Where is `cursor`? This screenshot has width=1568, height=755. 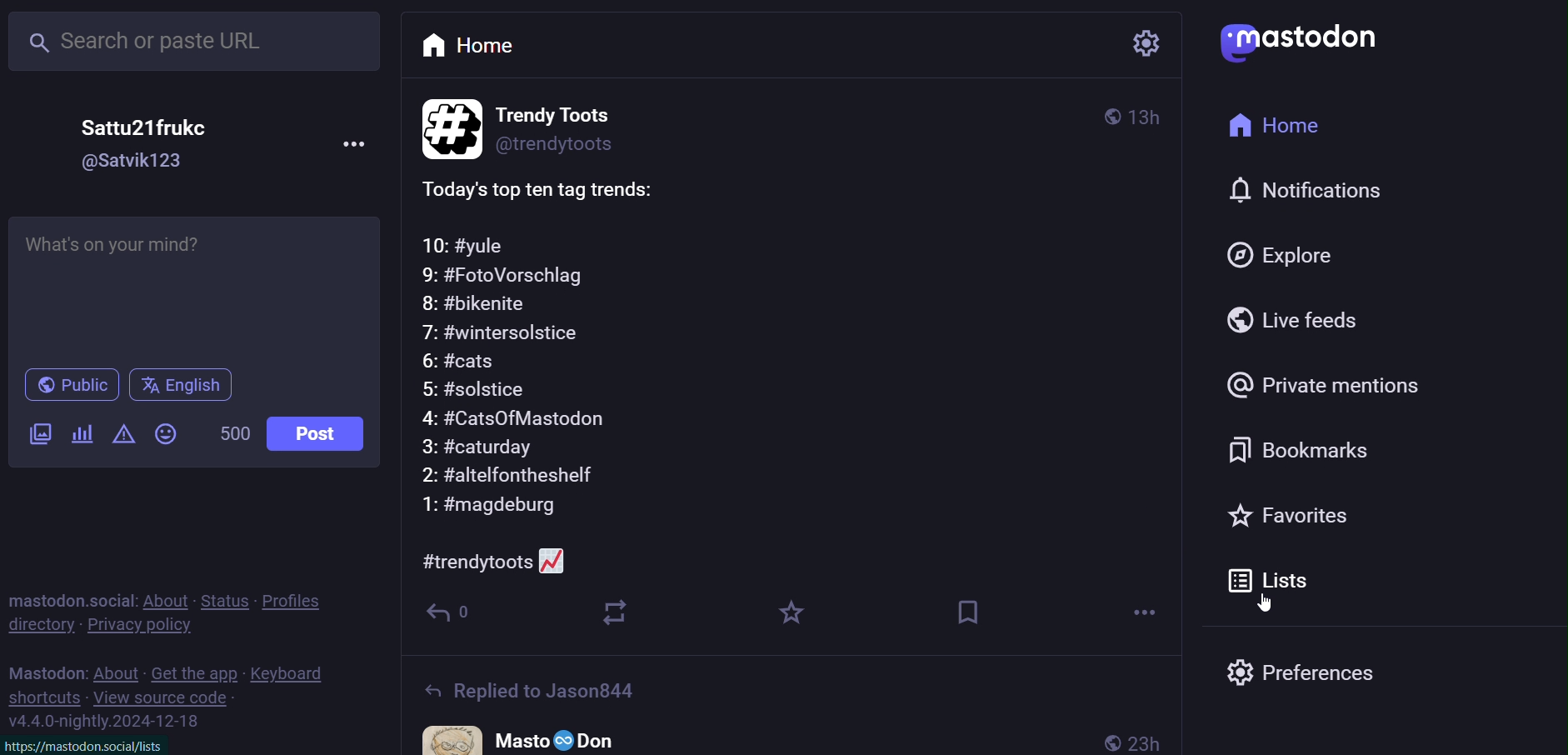
cursor is located at coordinates (1261, 603).